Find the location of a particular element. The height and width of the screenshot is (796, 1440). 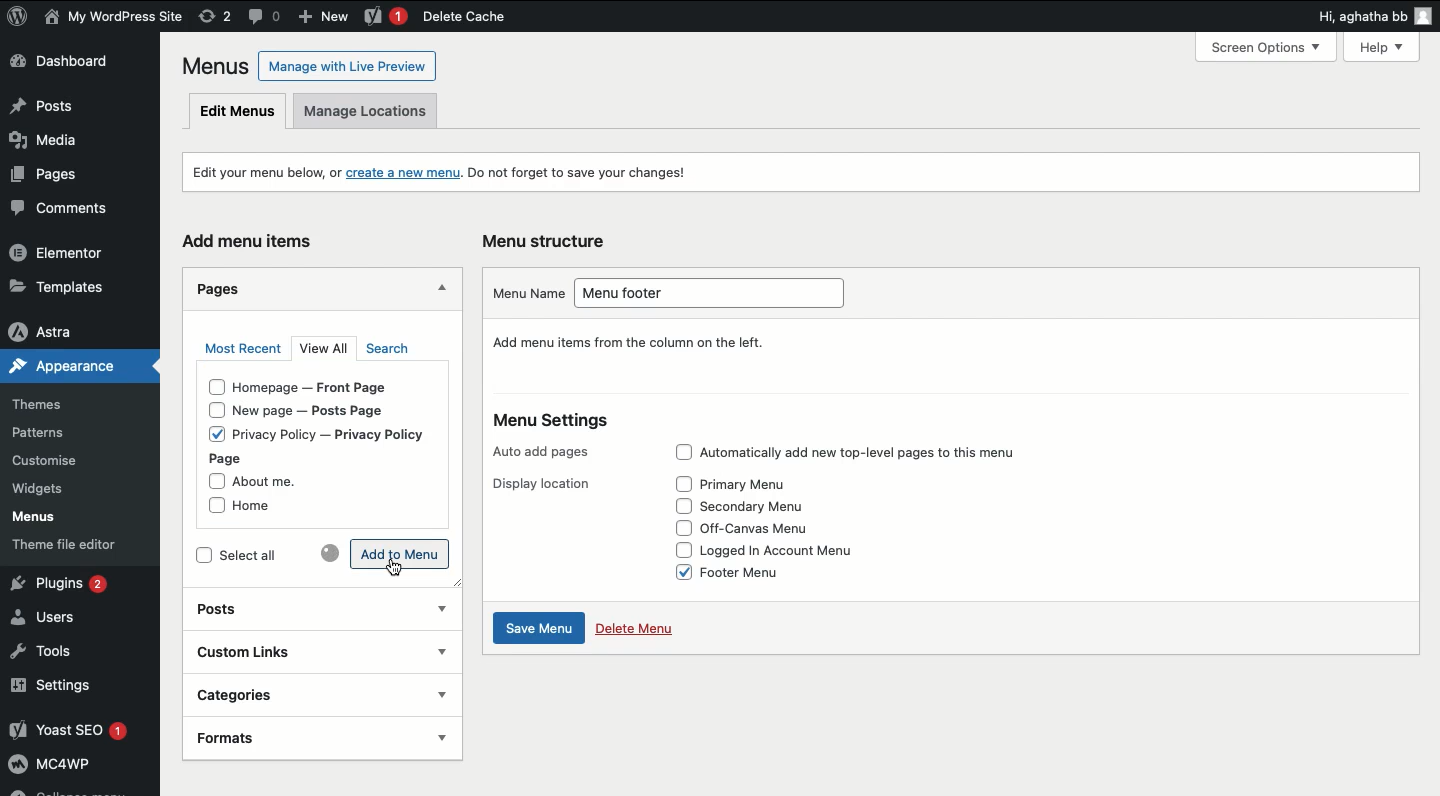

Most recent is located at coordinates (242, 349).